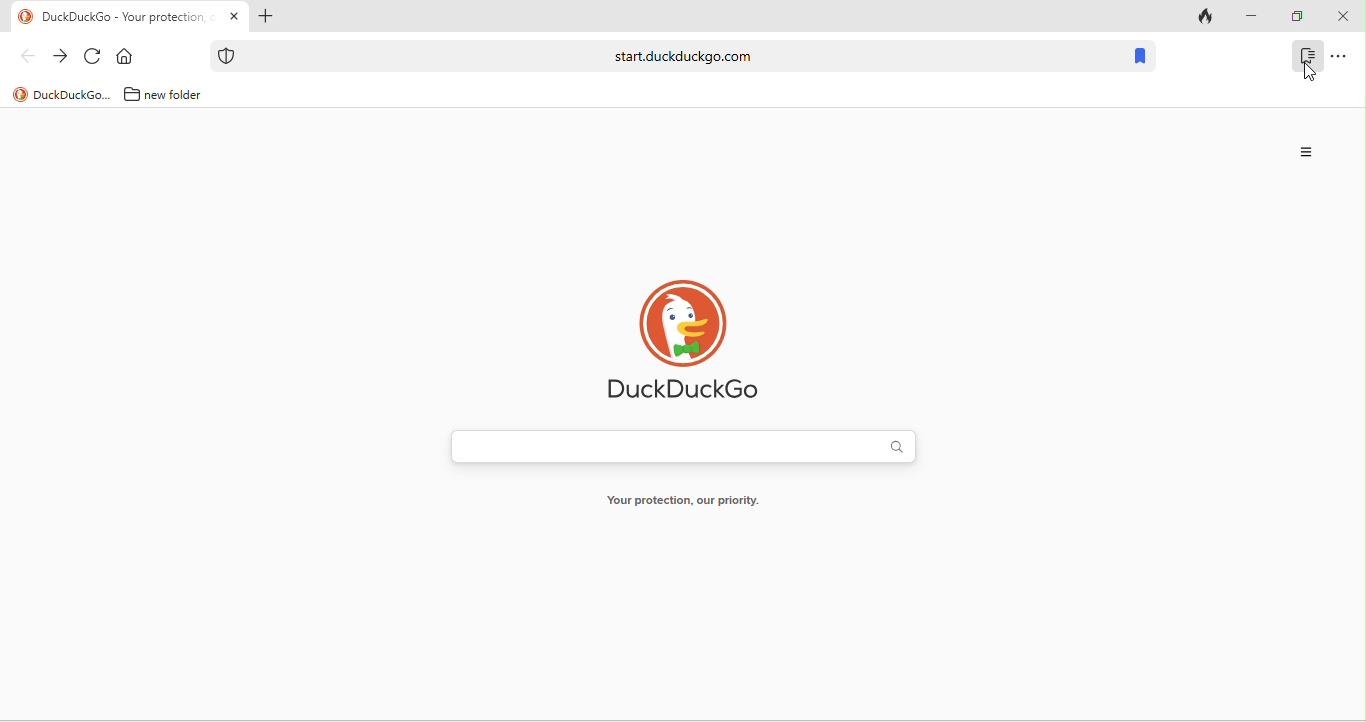  Describe the element at coordinates (1307, 55) in the screenshot. I see `bookmarks` at that location.